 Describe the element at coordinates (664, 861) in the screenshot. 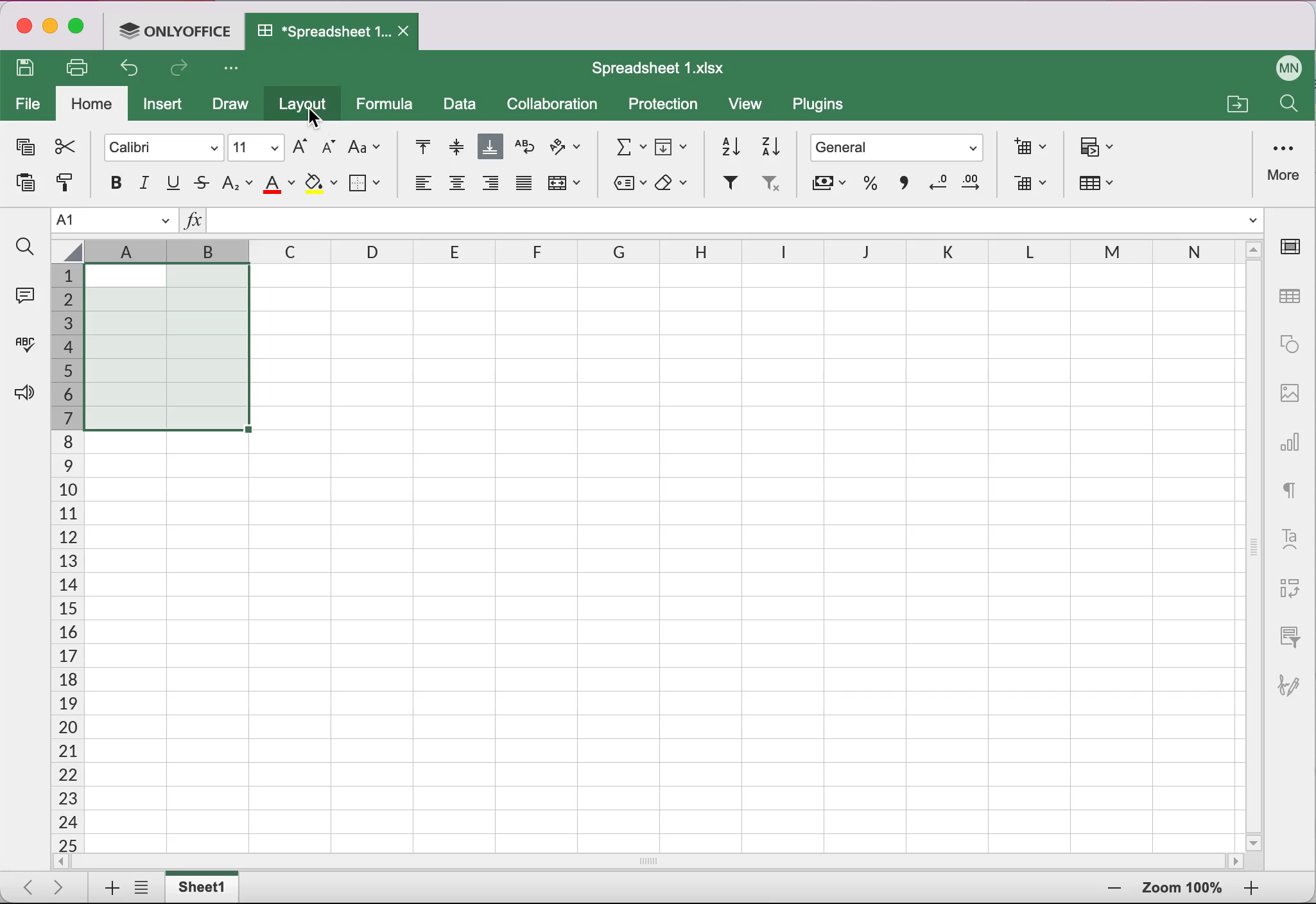

I see `horizontal slider` at that location.